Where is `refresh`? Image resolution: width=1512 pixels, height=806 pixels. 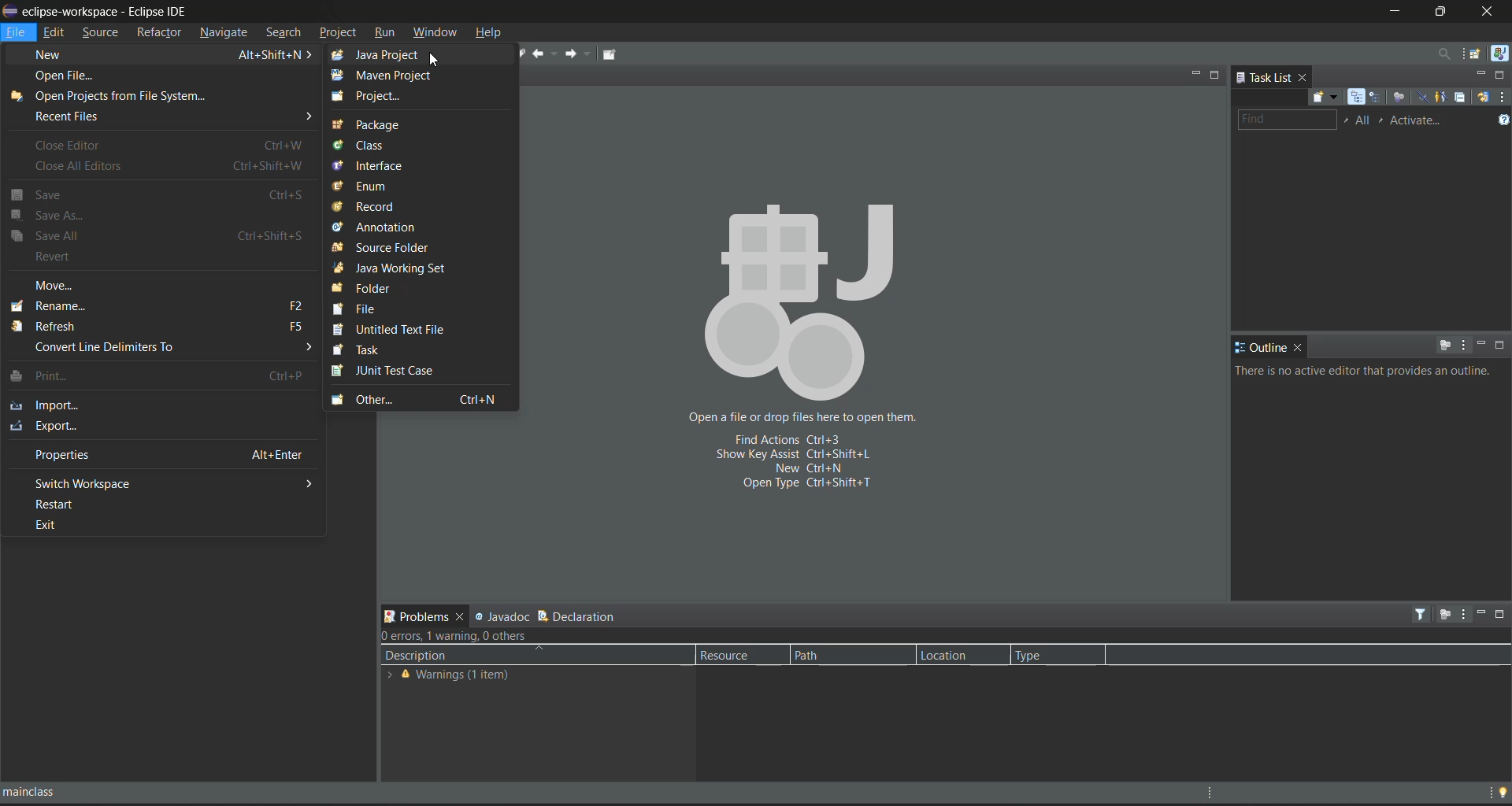
refresh is located at coordinates (156, 325).